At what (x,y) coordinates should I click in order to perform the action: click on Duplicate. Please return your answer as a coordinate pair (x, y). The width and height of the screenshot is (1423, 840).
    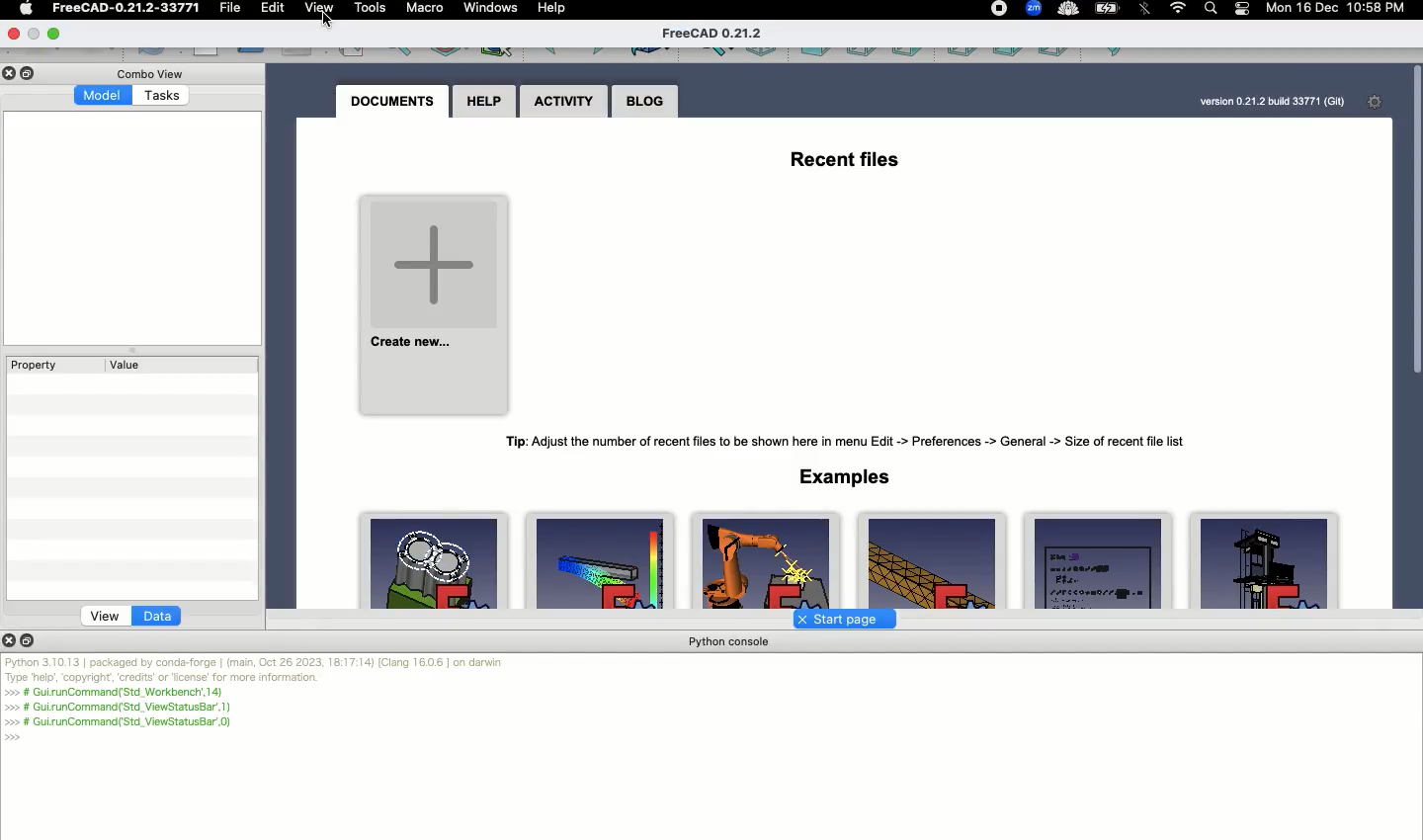
    Looking at the image, I should click on (31, 639).